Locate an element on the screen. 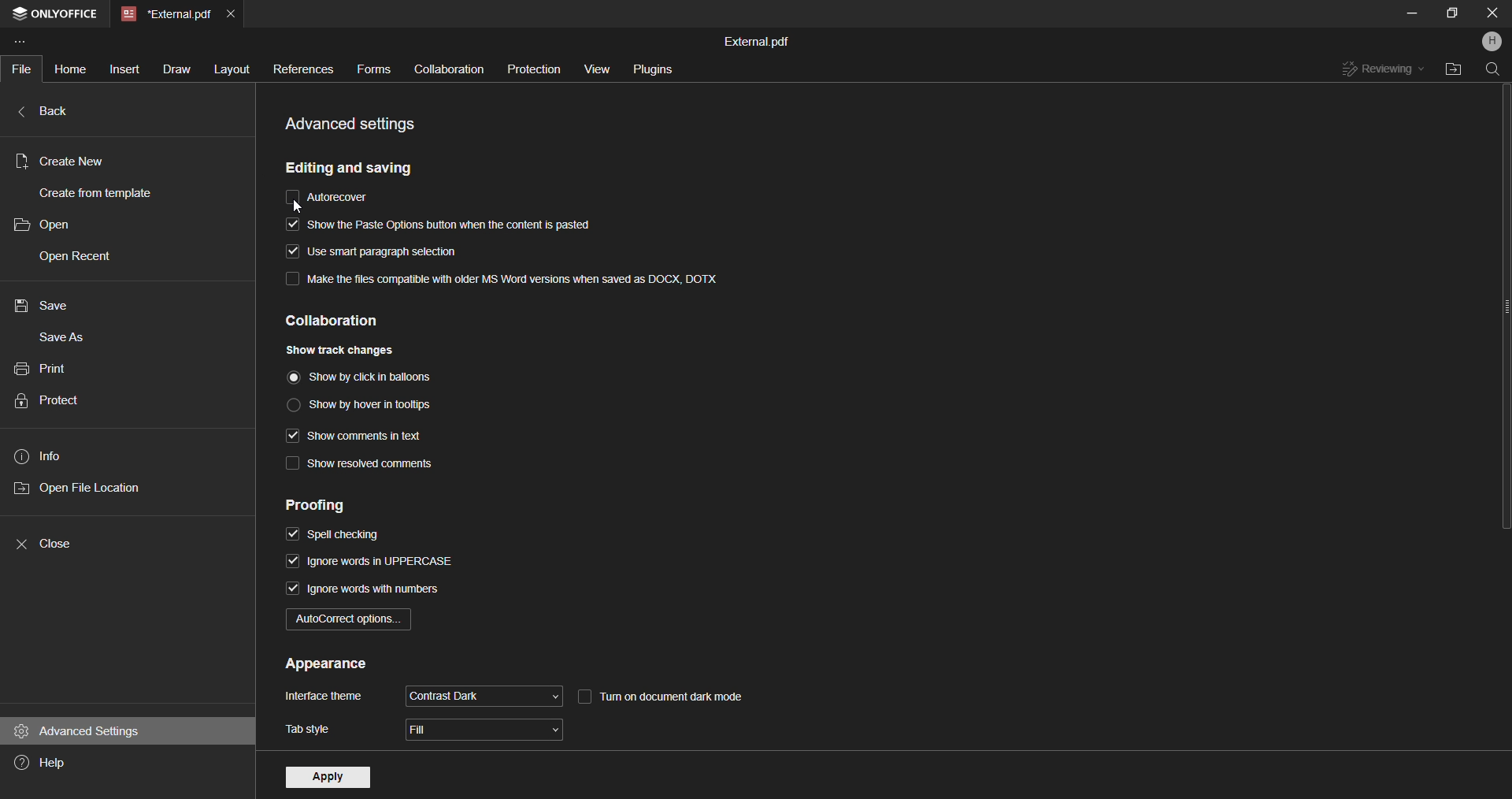  show the paste options is located at coordinates (437, 226).